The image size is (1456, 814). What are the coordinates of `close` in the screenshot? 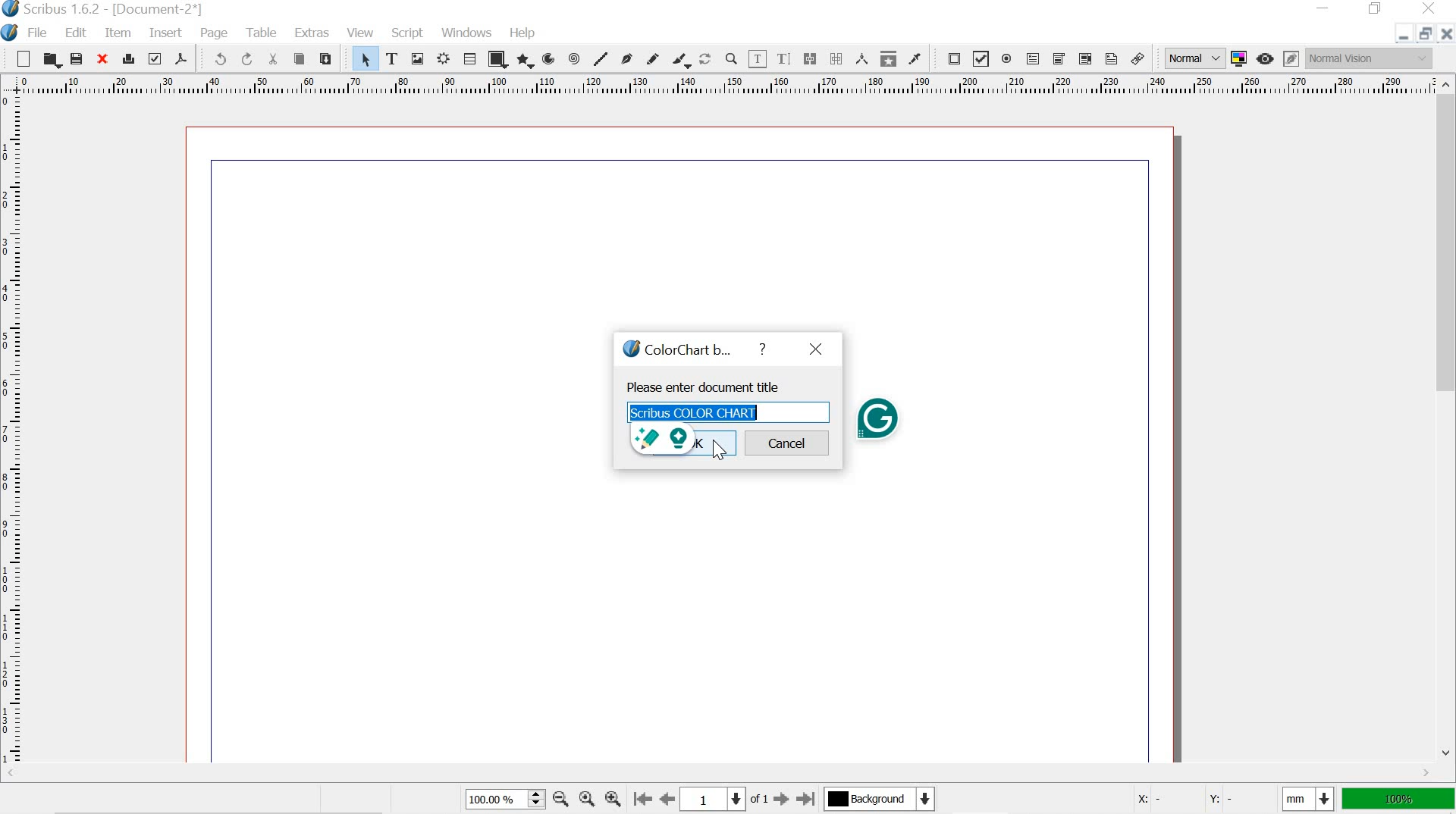 It's located at (1426, 8).